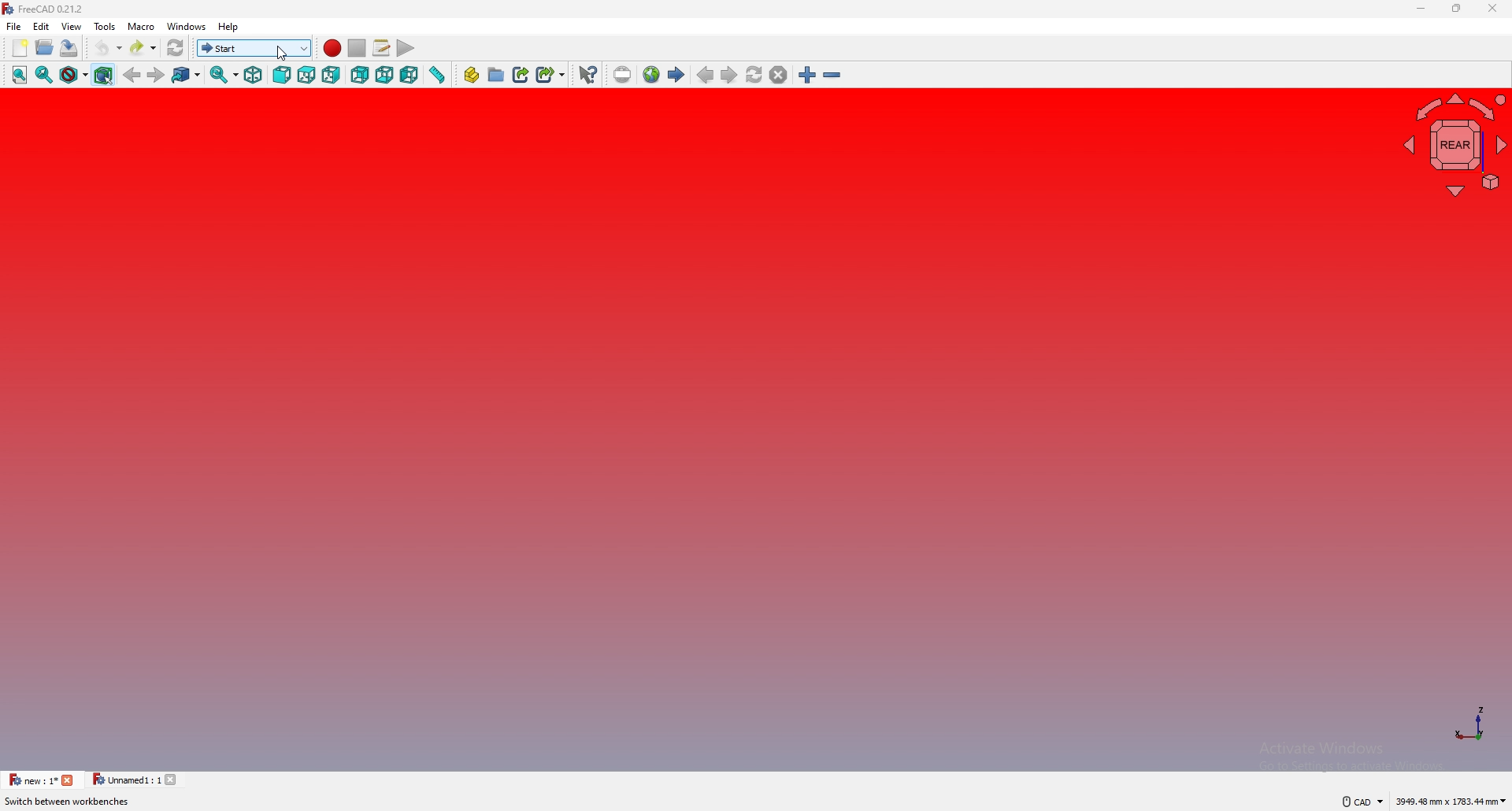  I want to click on execute macro, so click(406, 48).